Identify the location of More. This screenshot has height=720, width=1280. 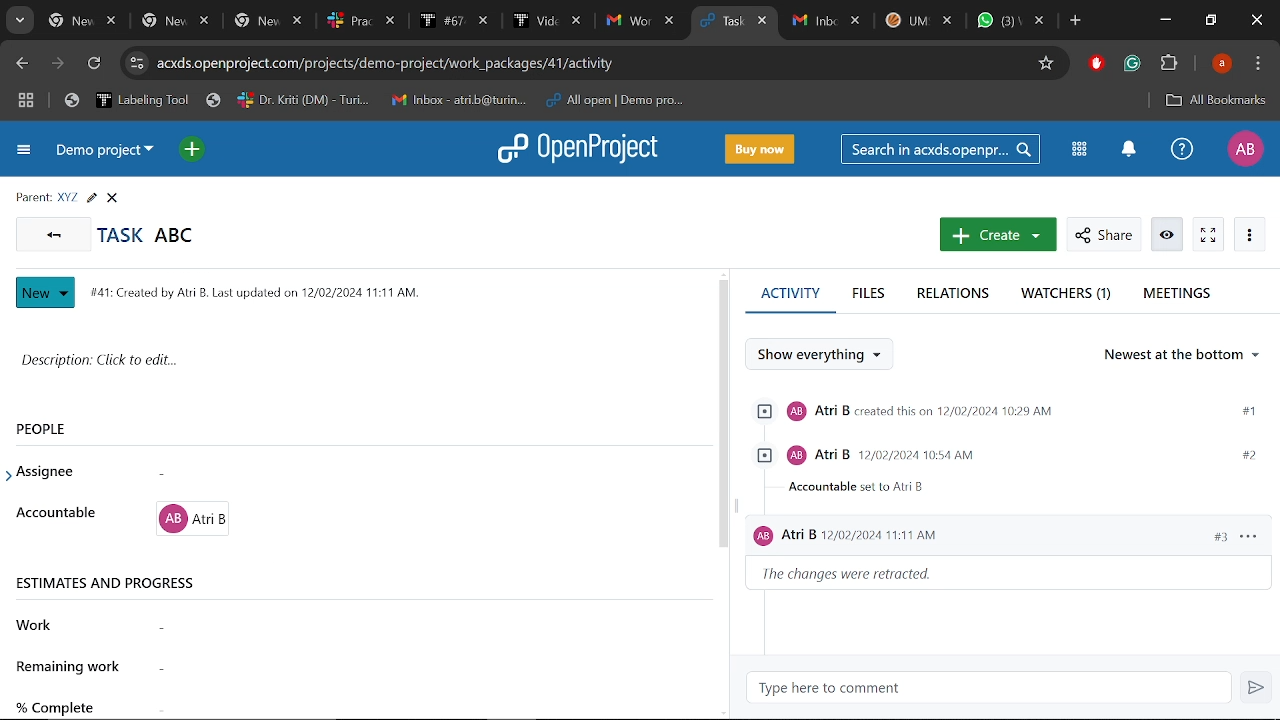
(1250, 236).